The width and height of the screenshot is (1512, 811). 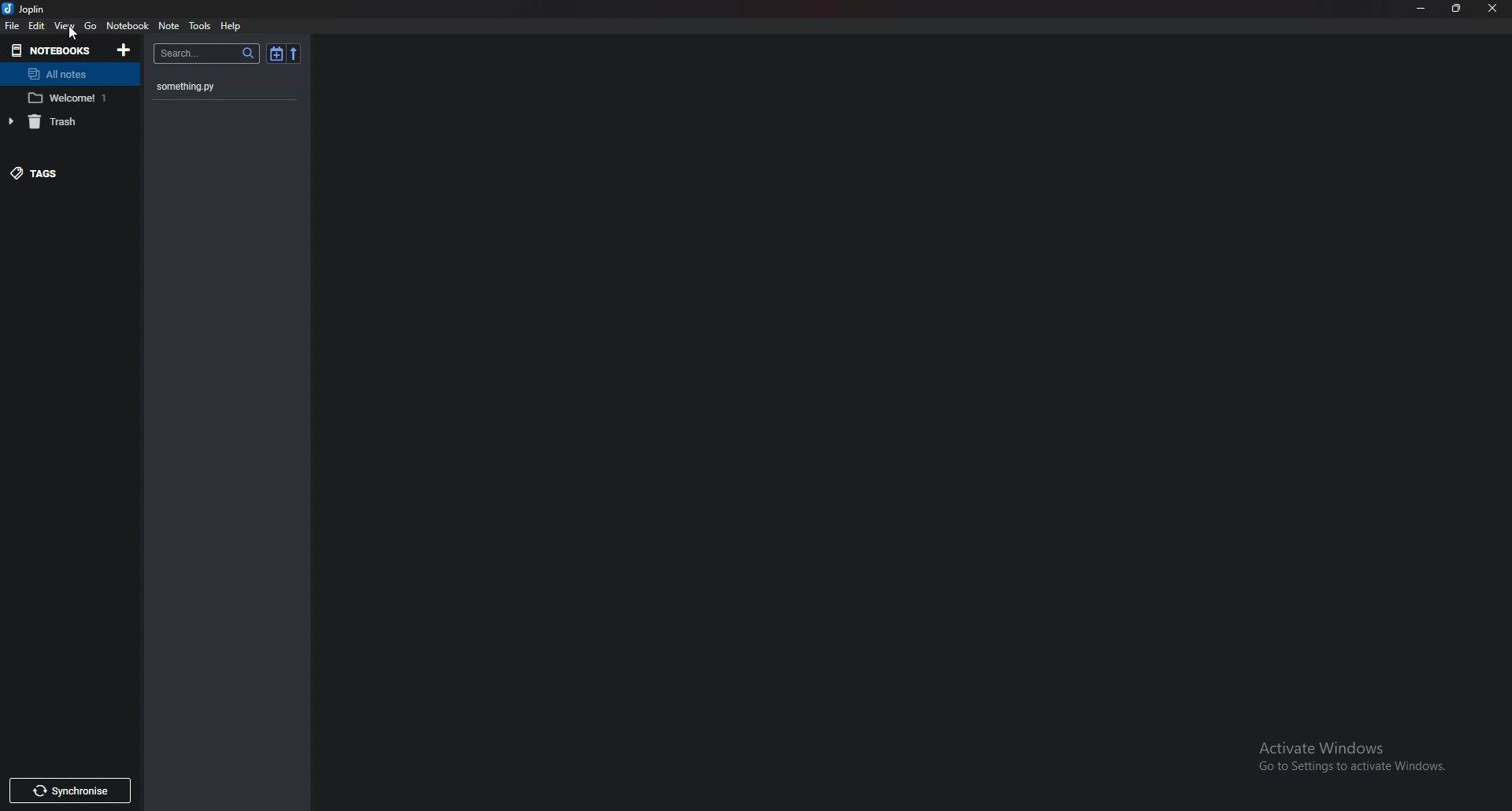 What do you see at coordinates (39, 26) in the screenshot?
I see `edit` at bounding box center [39, 26].